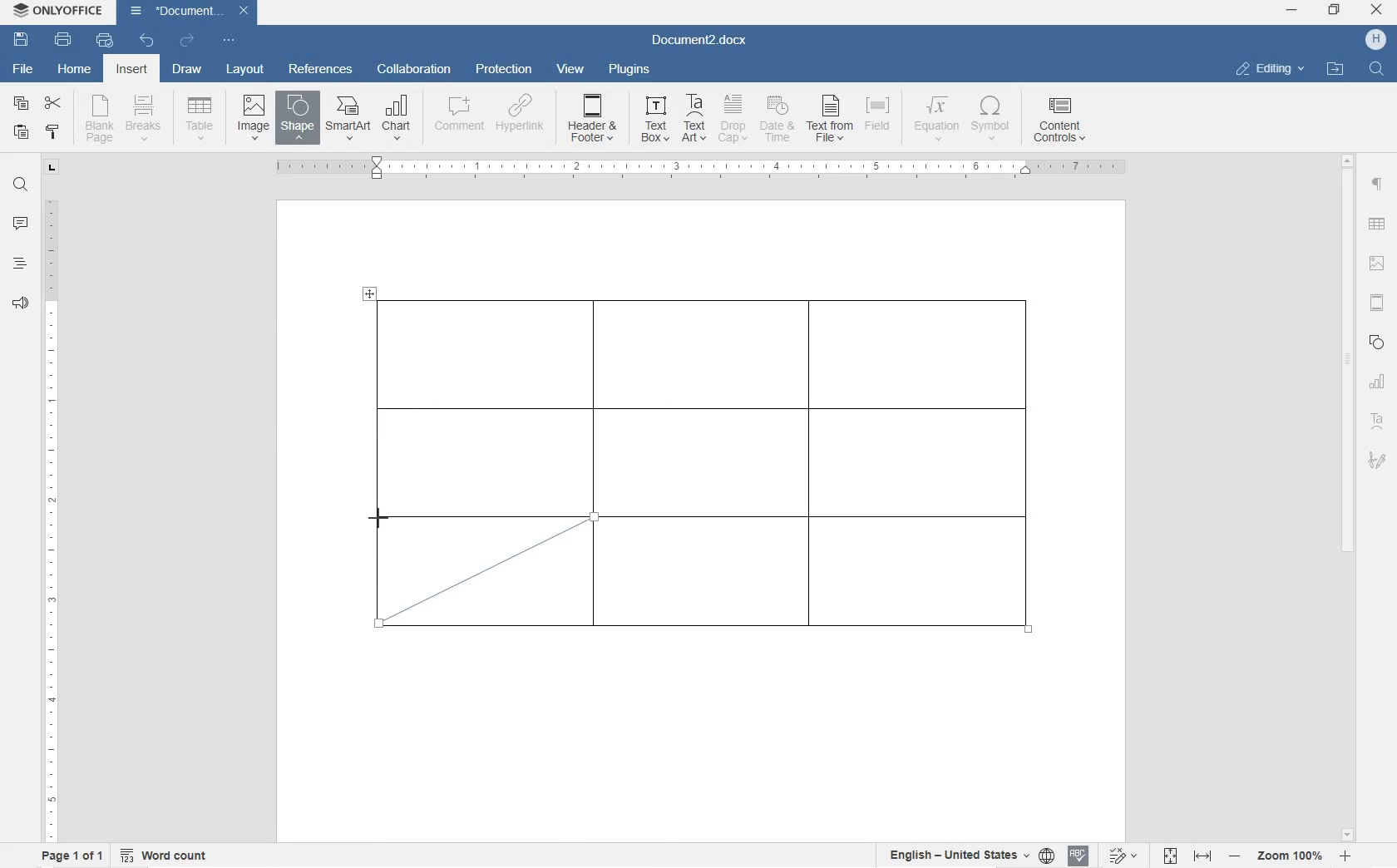  Describe the element at coordinates (1079, 857) in the screenshot. I see `spell check` at that location.